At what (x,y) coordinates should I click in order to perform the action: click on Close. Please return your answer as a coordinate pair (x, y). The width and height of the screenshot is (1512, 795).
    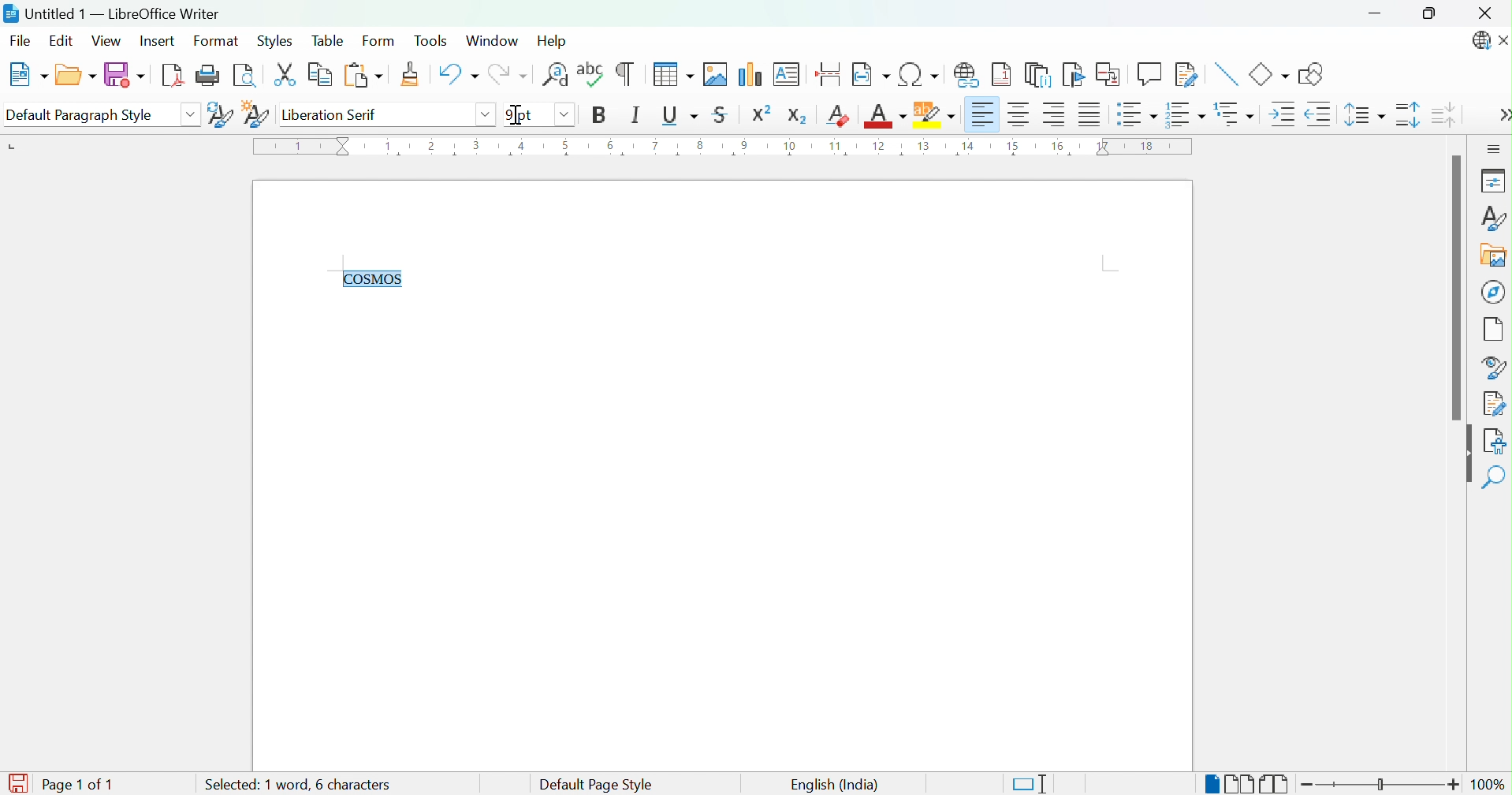
    Looking at the image, I should click on (1488, 12).